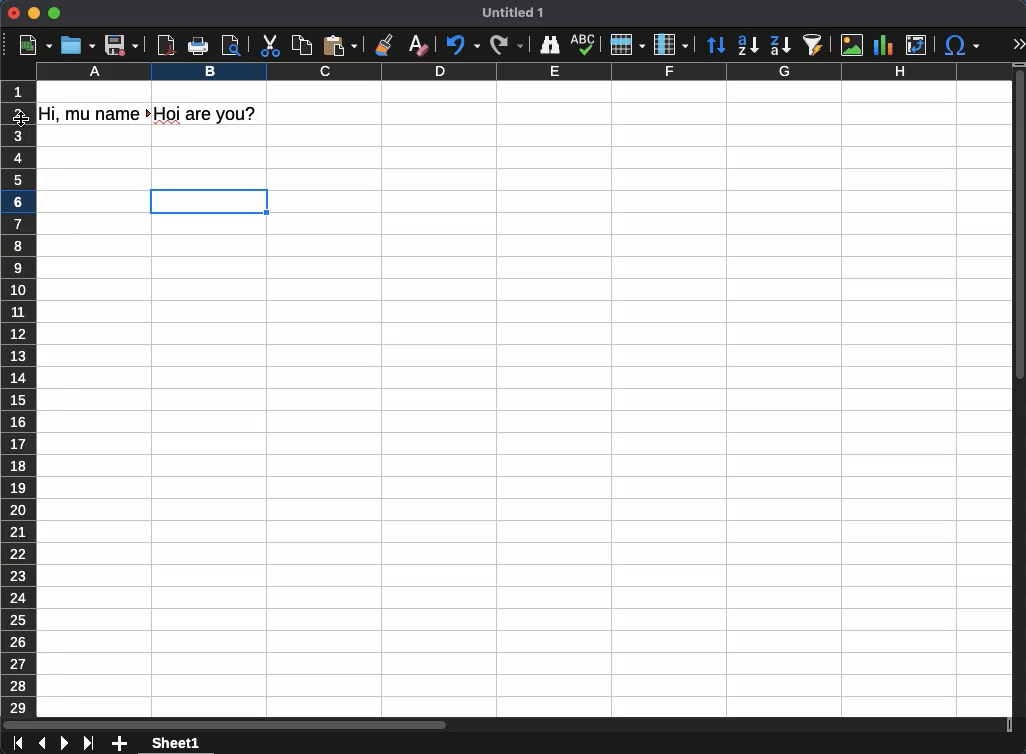 The width and height of the screenshot is (1026, 754). Describe the element at coordinates (523, 71) in the screenshot. I see `column` at that location.